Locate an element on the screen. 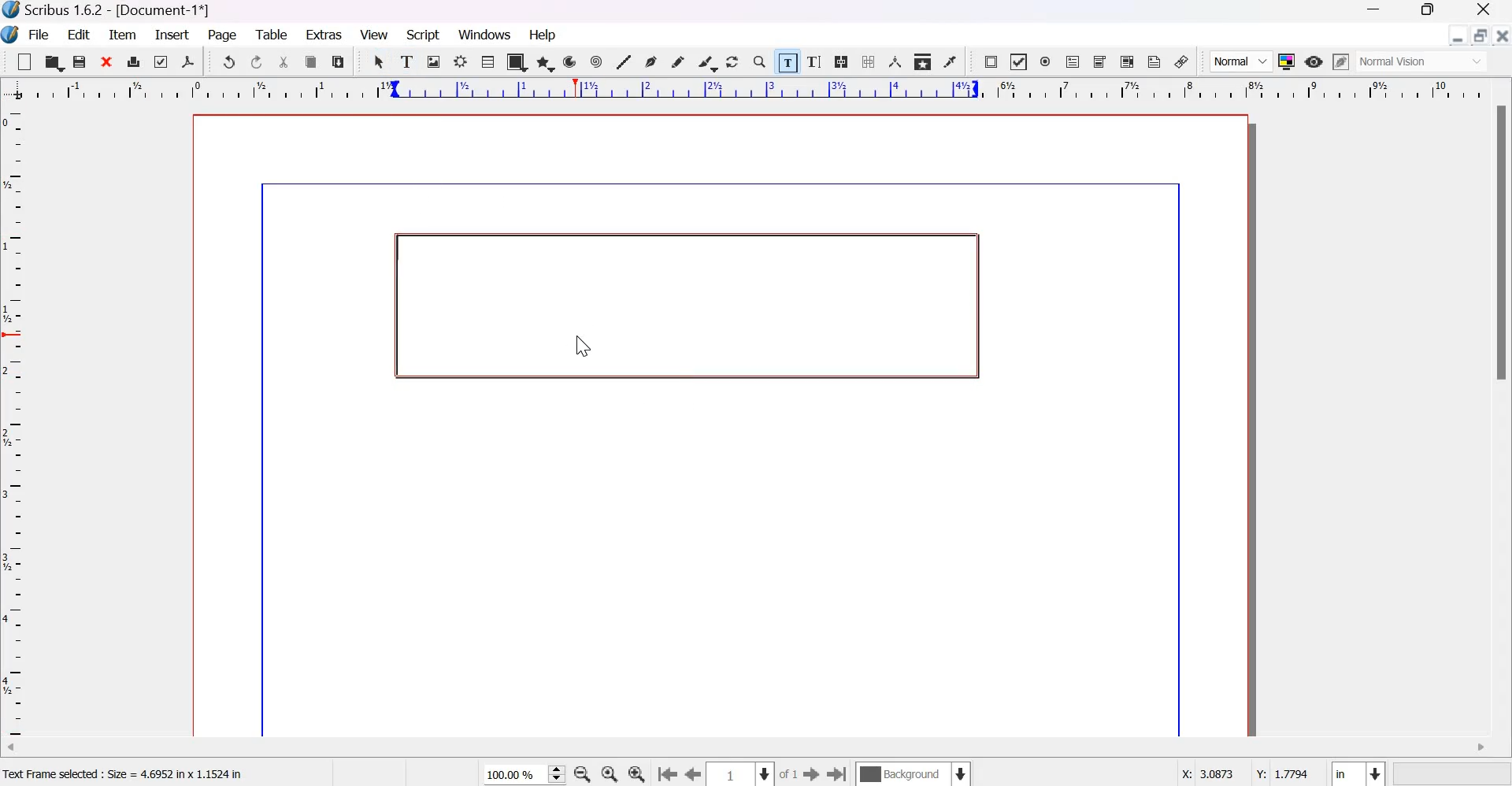 The height and width of the screenshot is (786, 1512). windows is located at coordinates (487, 35).